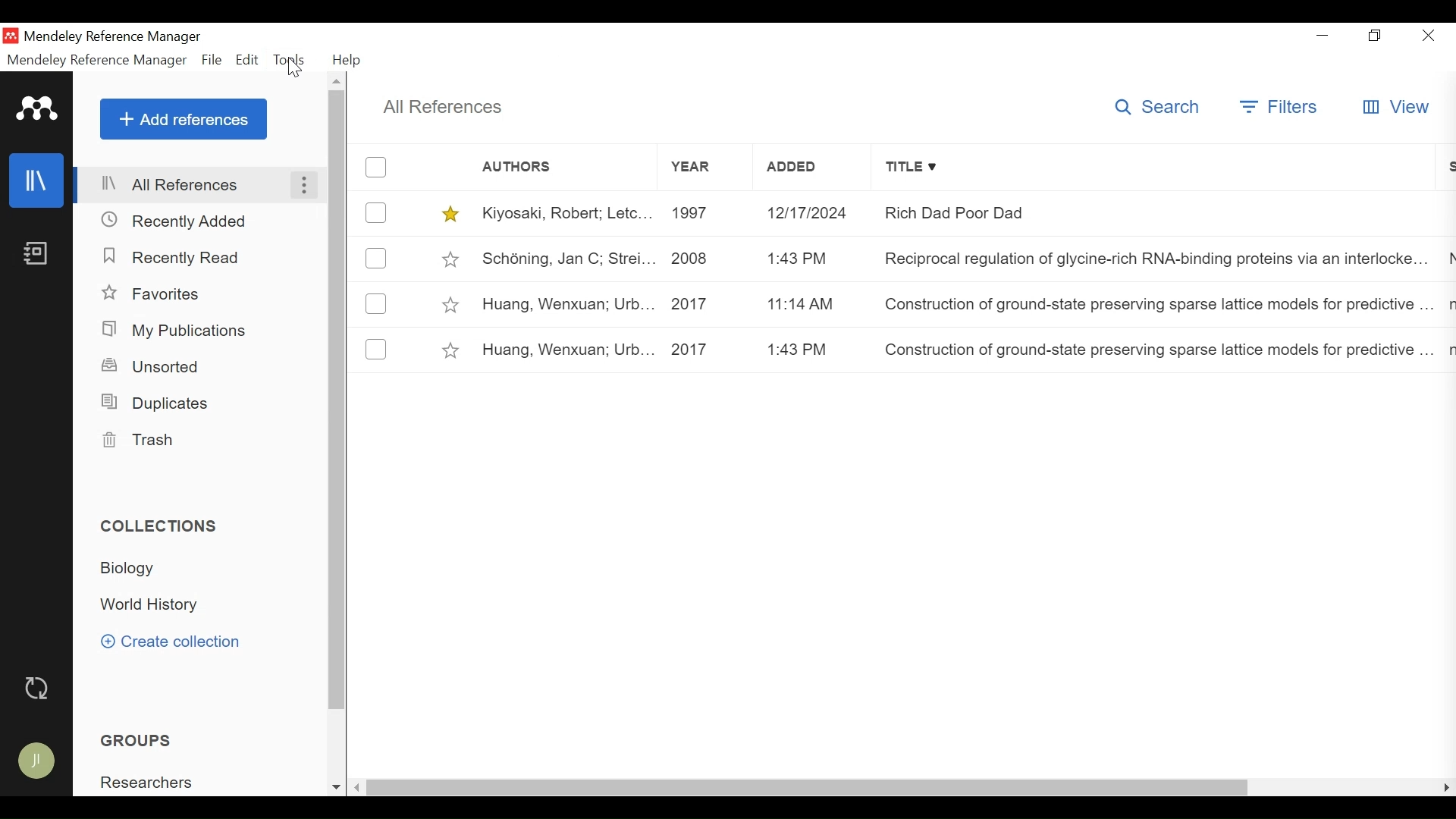 This screenshot has height=819, width=1456. What do you see at coordinates (117, 37) in the screenshot?
I see `Mendeley Reference Manager` at bounding box center [117, 37].